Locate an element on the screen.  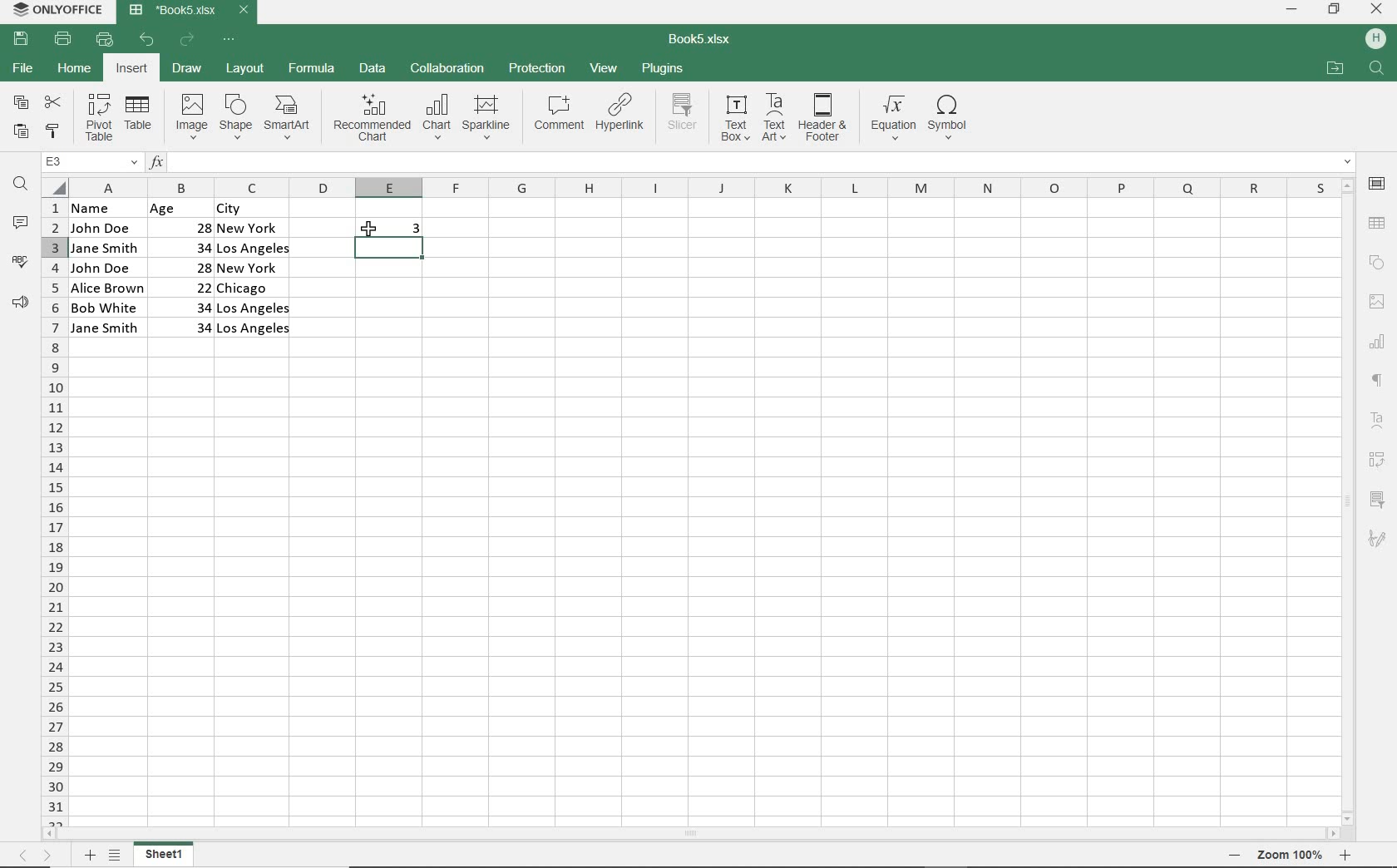
Los Angeles is located at coordinates (254, 330).